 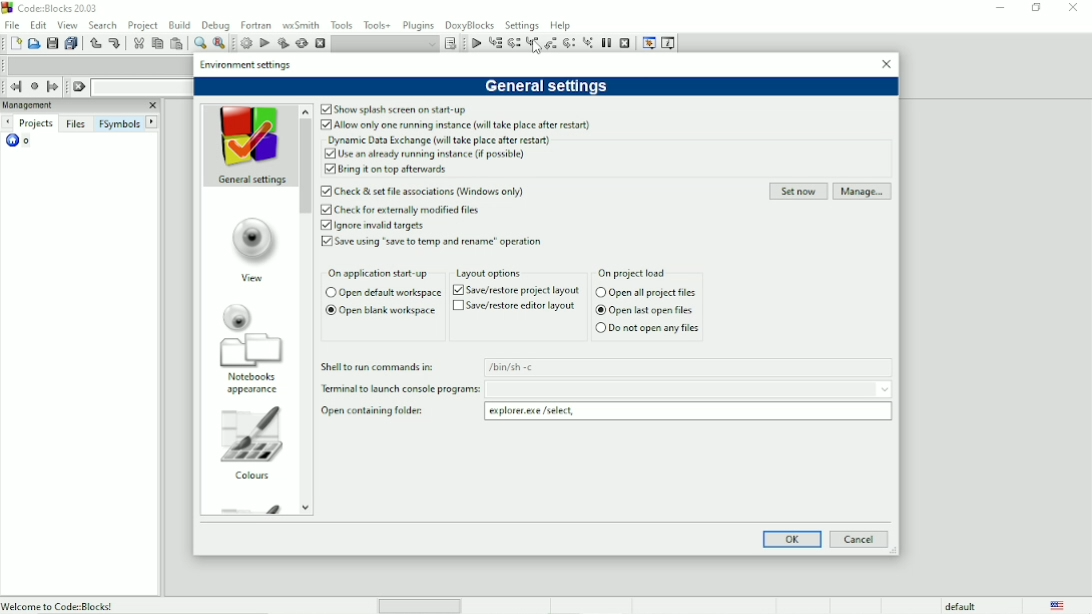 What do you see at coordinates (399, 389) in the screenshot?
I see `Terminal to launch console programs` at bounding box center [399, 389].